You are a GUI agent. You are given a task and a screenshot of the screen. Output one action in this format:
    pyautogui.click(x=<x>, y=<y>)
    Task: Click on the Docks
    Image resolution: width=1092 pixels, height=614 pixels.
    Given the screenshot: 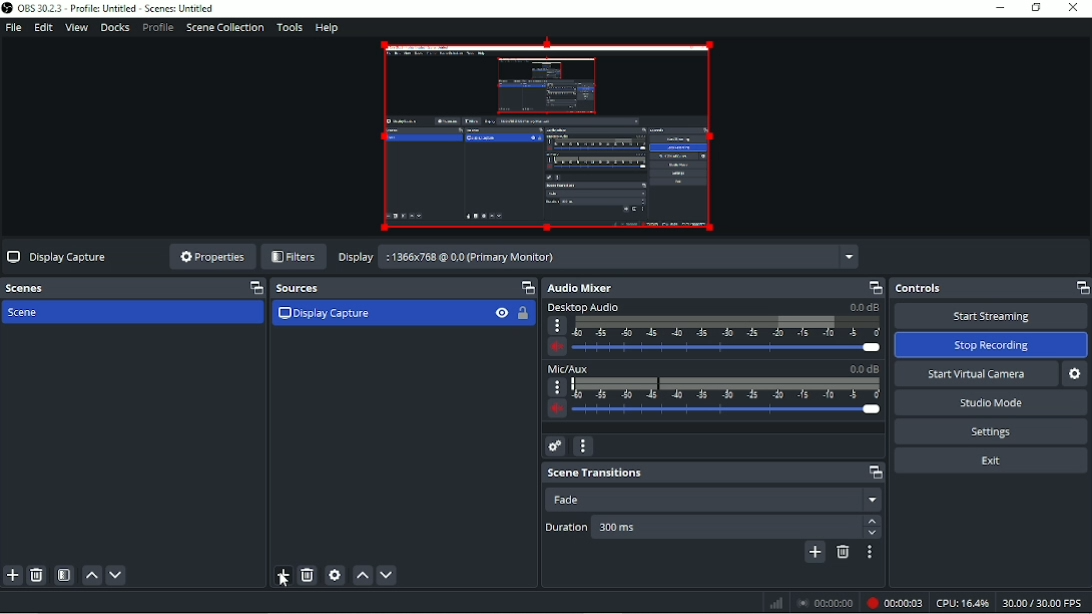 What is the action you would take?
    pyautogui.click(x=116, y=28)
    